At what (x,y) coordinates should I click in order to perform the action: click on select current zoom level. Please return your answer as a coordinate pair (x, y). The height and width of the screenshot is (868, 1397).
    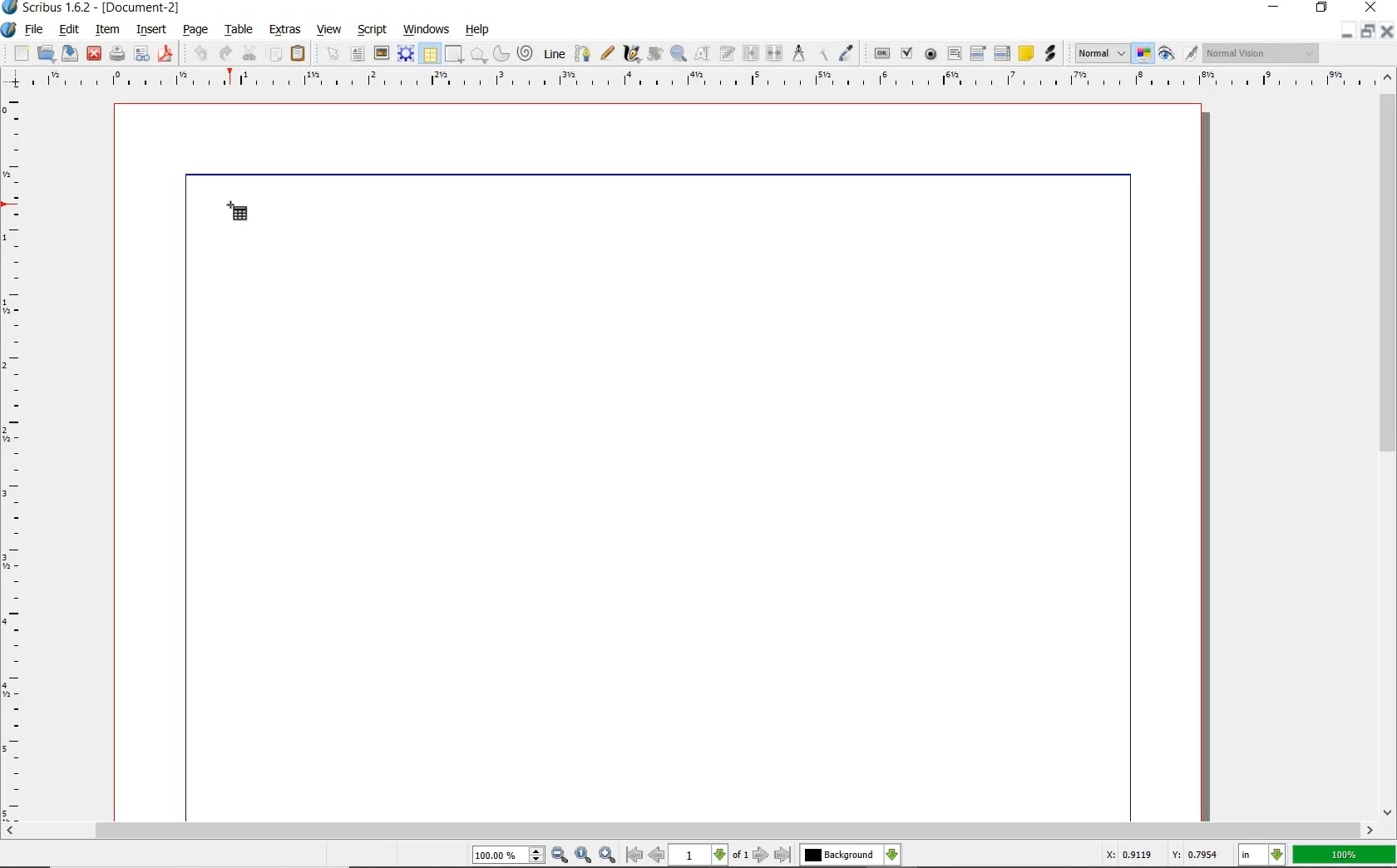
    Looking at the image, I should click on (508, 856).